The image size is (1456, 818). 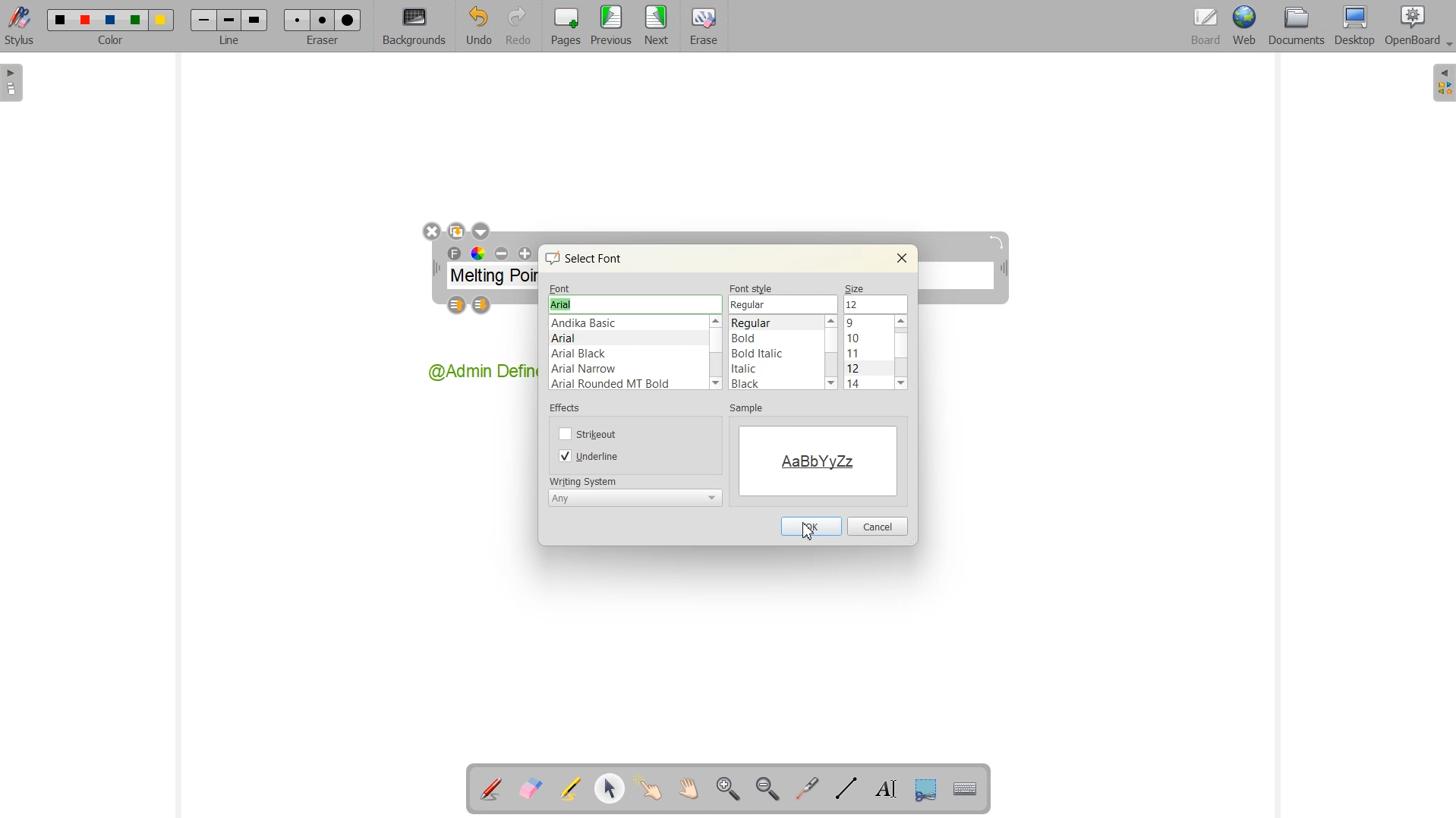 I want to click on Sidebar, so click(x=1442, y=83).